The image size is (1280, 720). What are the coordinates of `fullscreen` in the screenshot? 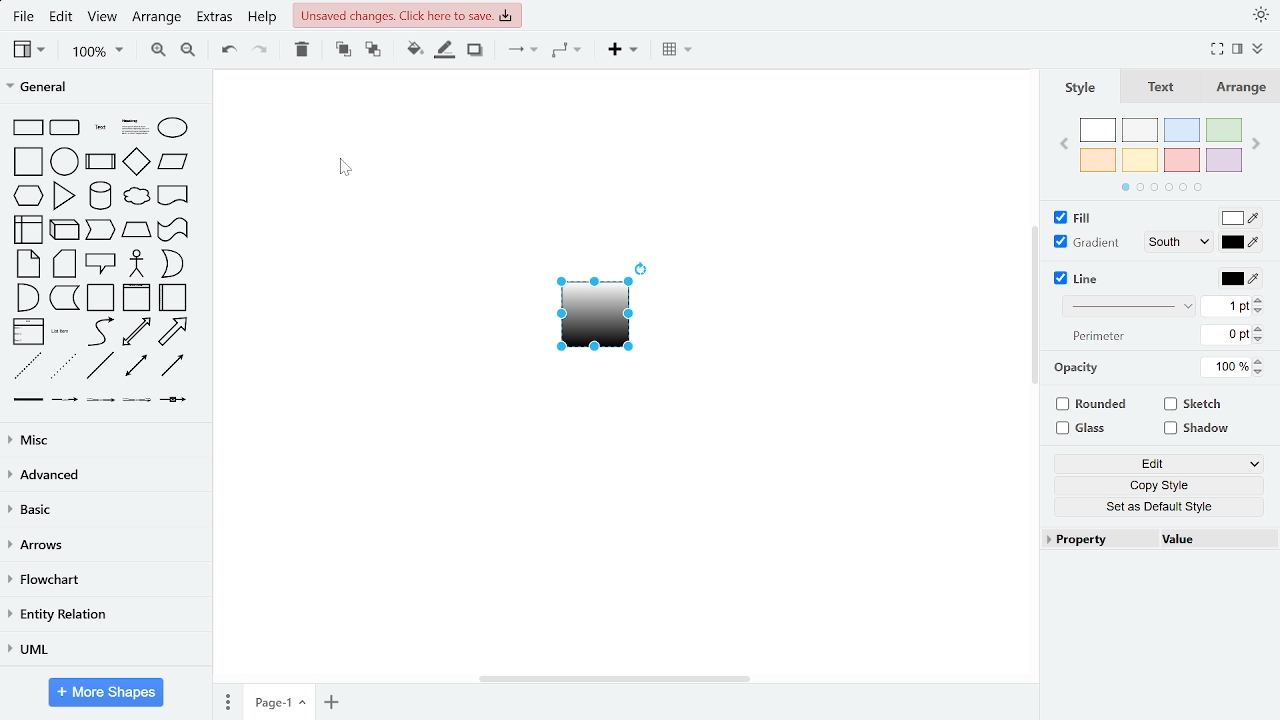 It's located at (1216, 48).